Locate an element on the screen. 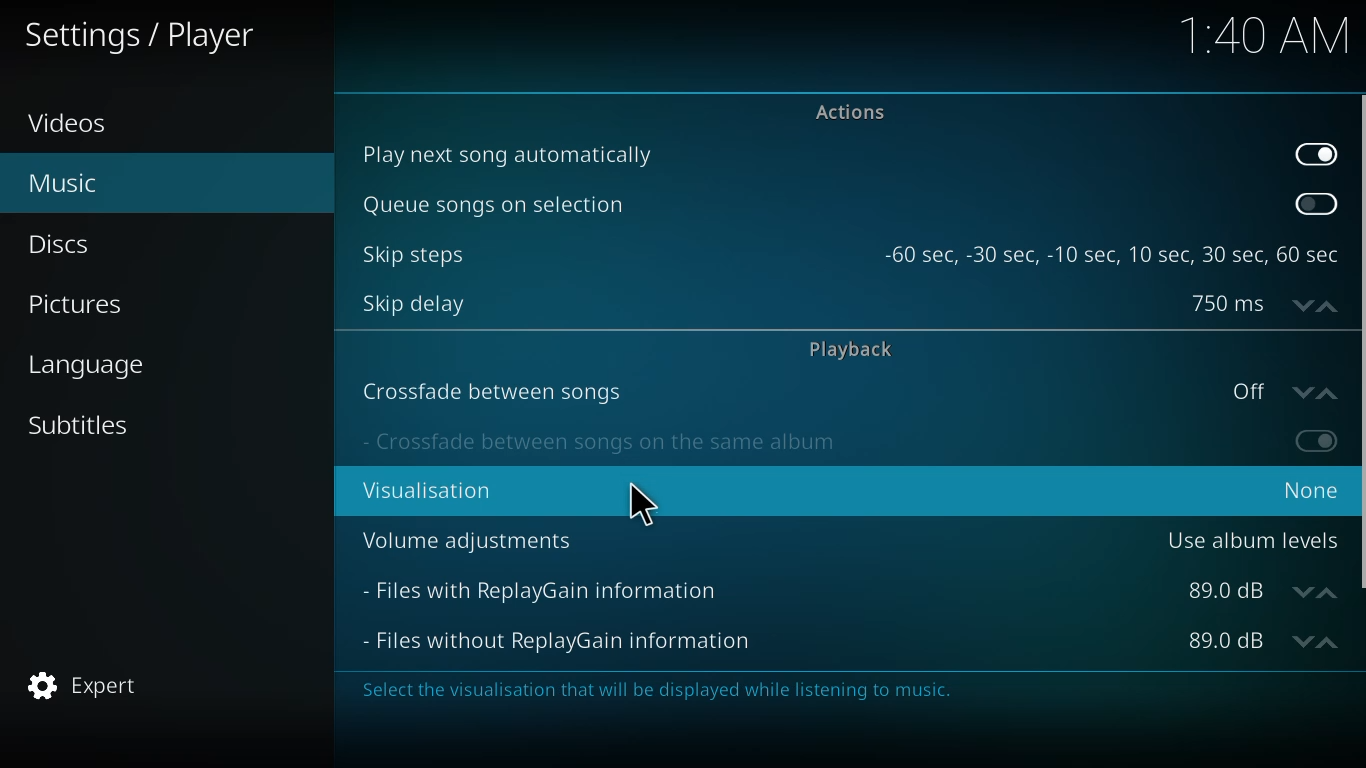  crossfade on same album is located at coordinates (603, 441).